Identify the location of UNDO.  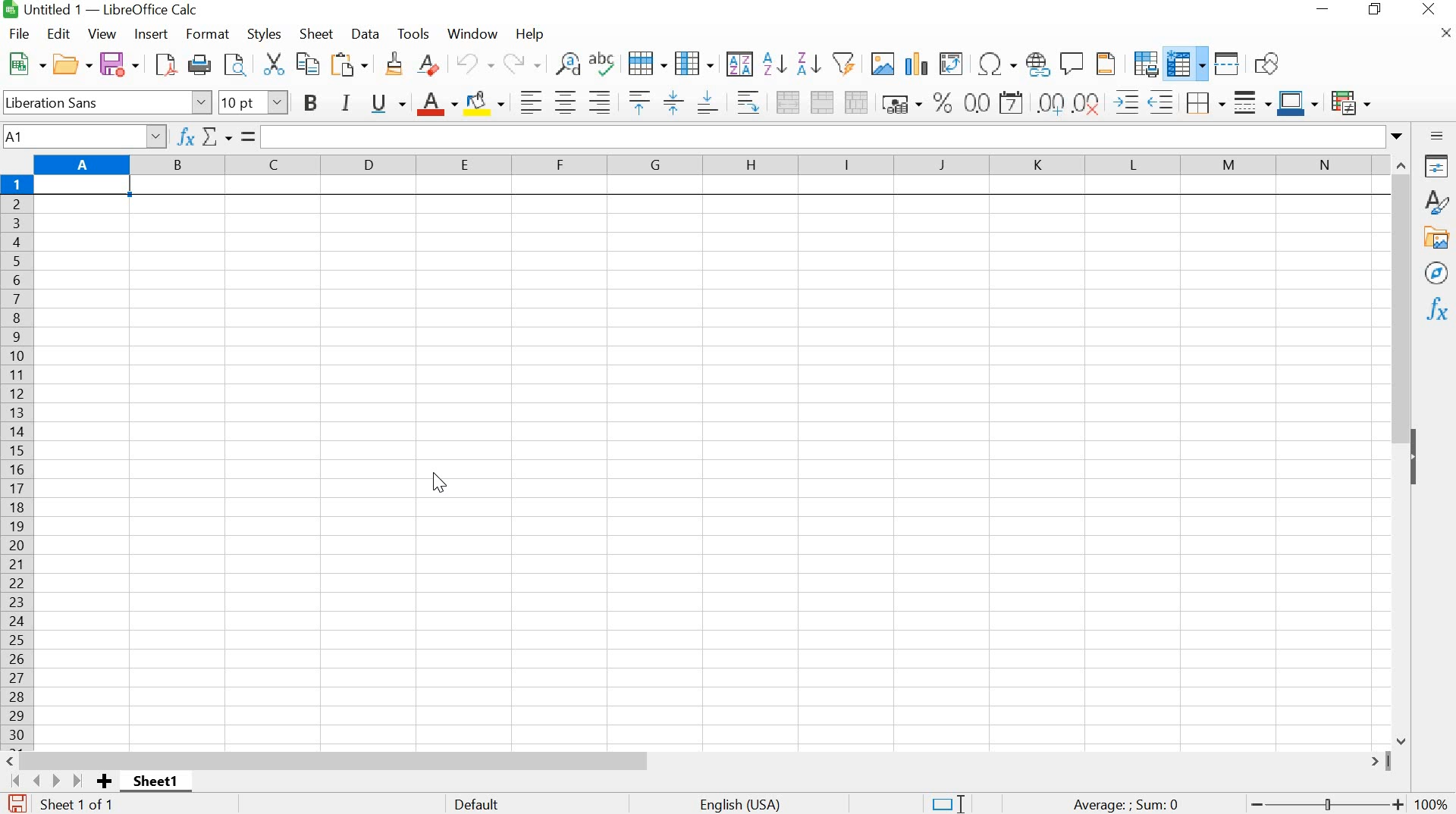
(476, 64).